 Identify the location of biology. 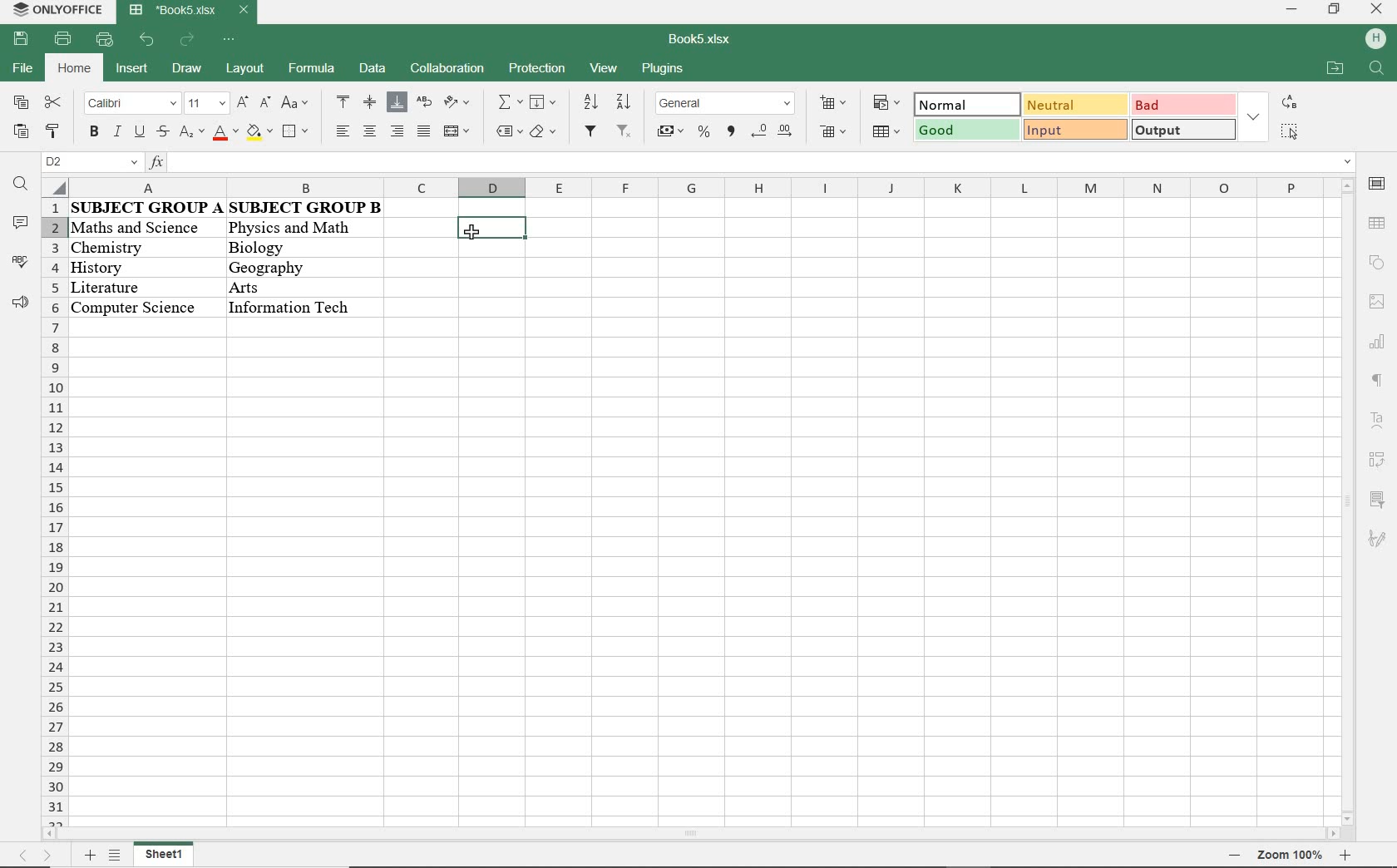
(289, 249).